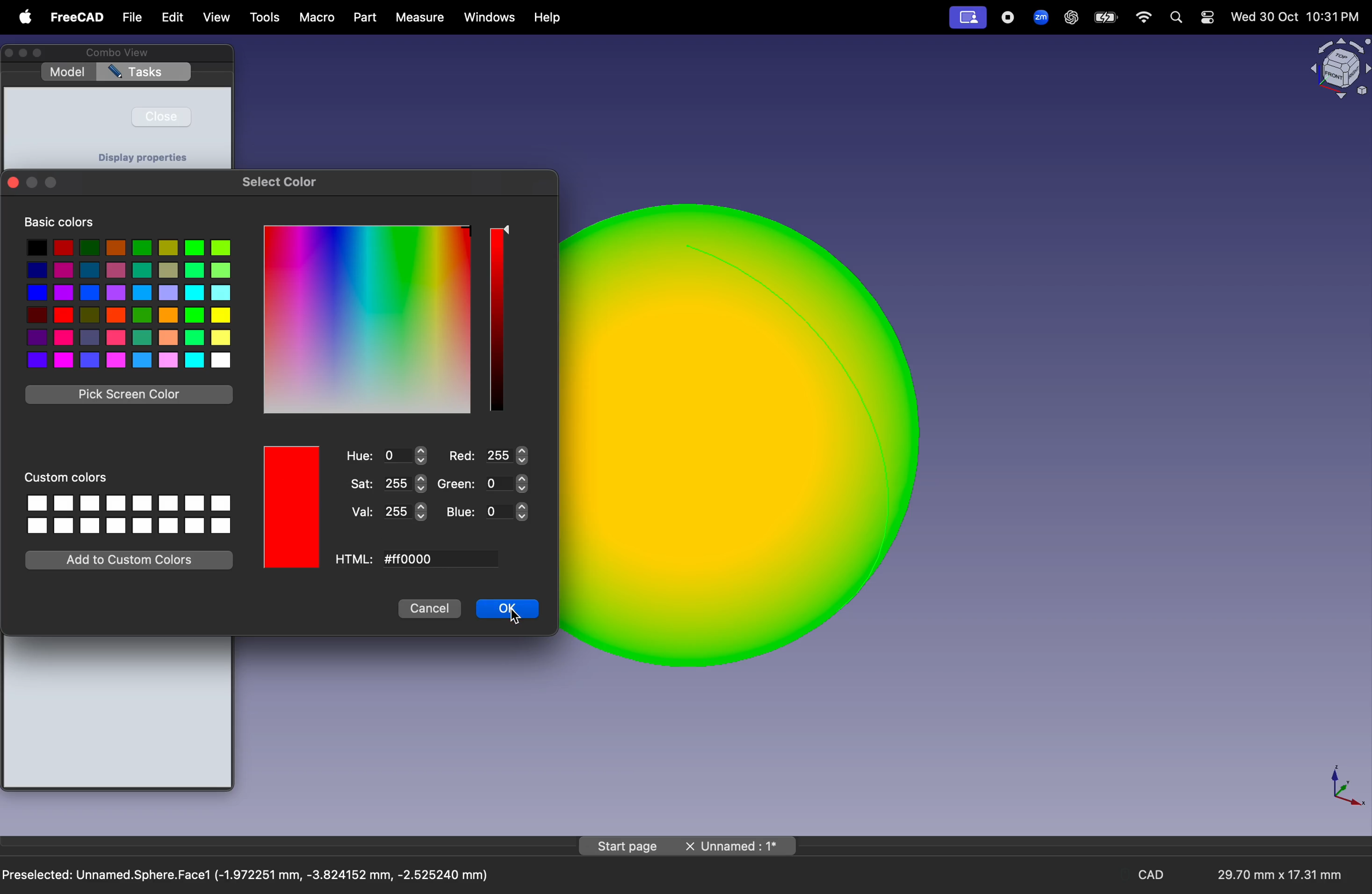  Describe the element at coordinates (488, 511) in the screenshot. I see `blue` at that location.